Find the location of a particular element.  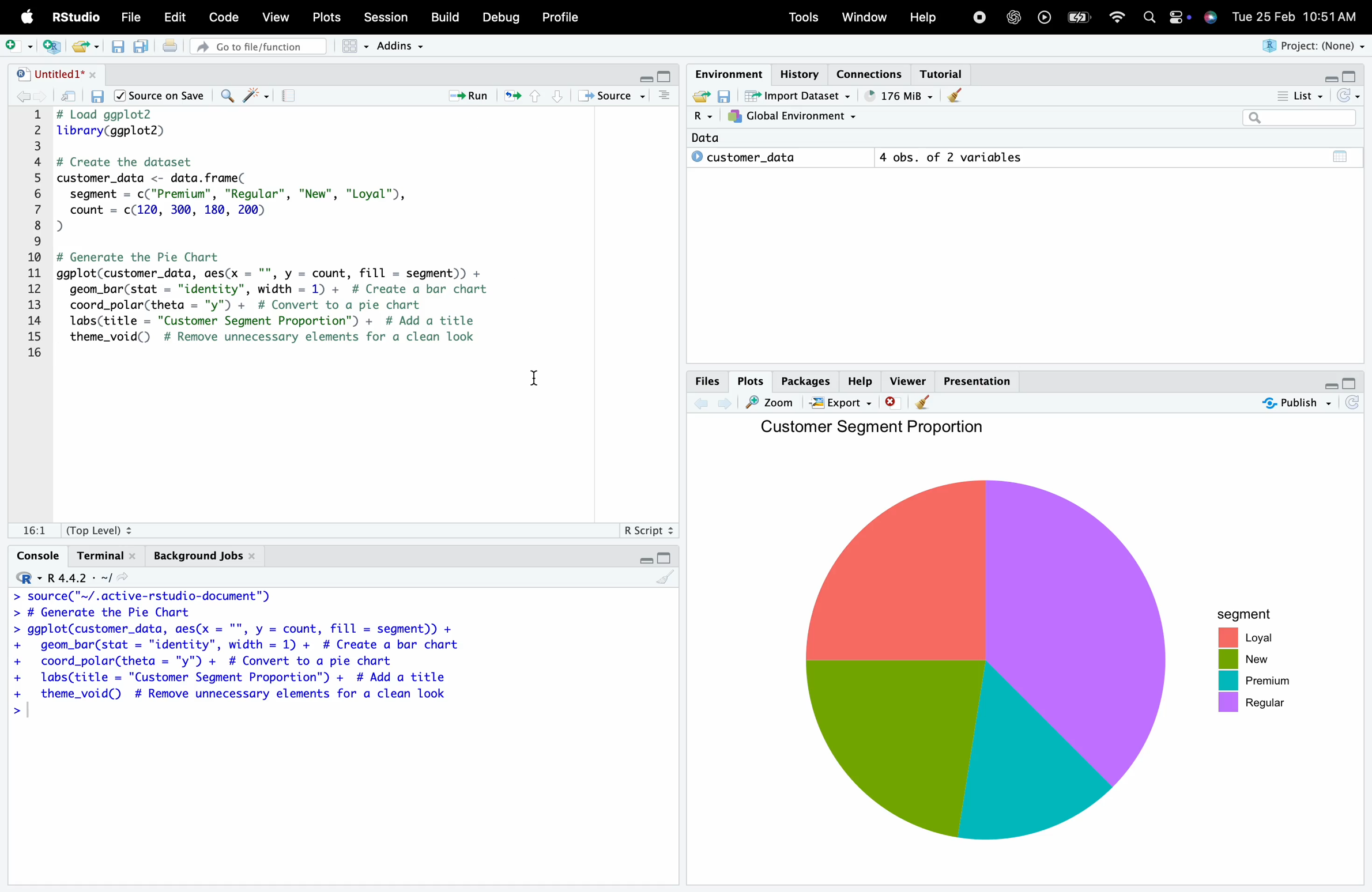

zoom is located at coordinates (773, 403).